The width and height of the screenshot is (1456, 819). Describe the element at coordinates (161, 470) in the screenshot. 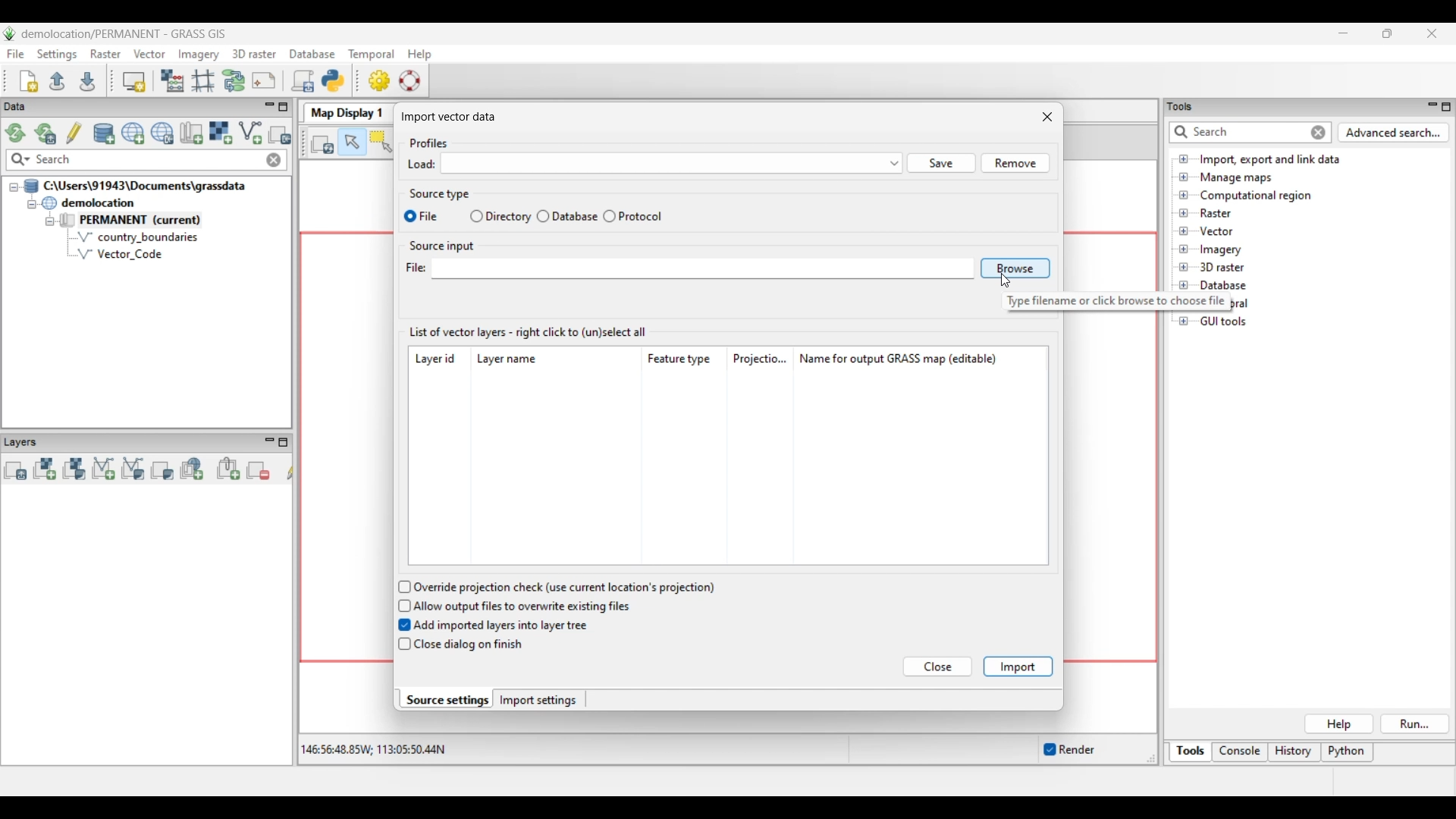

I see `Add various overlays` at that location.